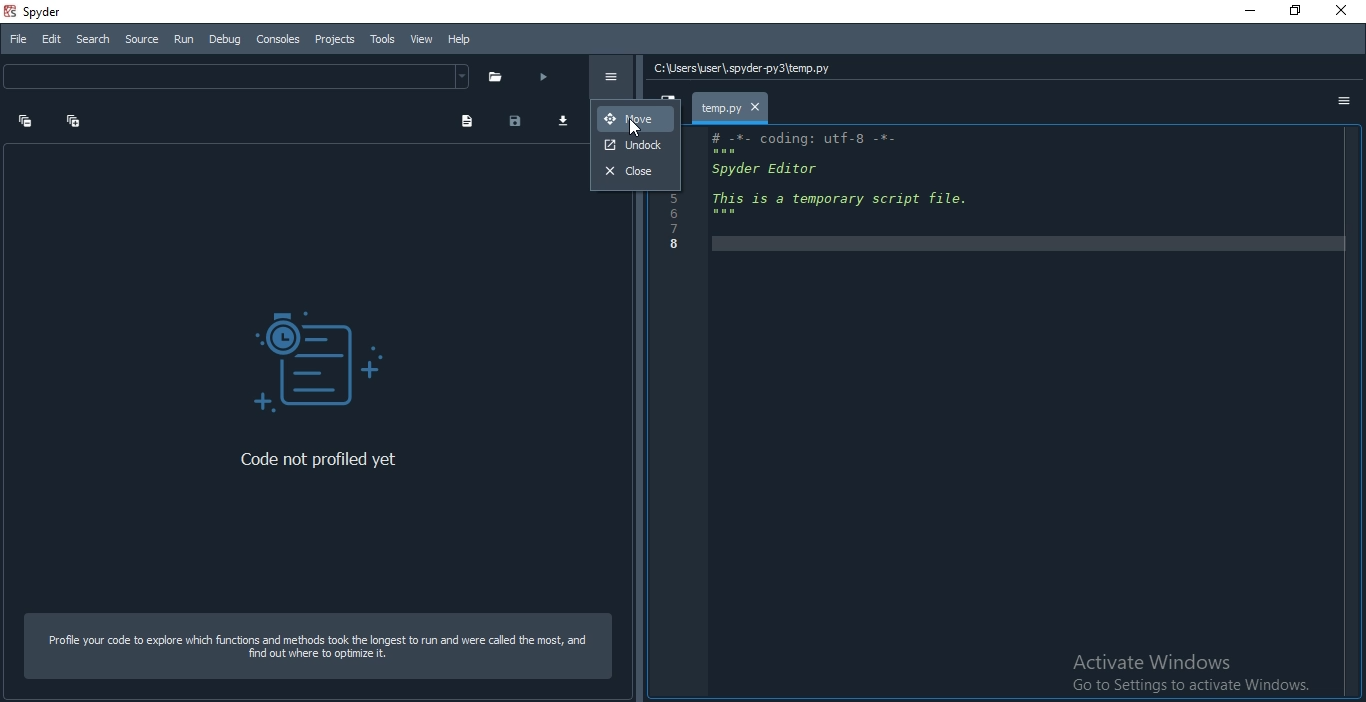  Describe the element at coordinates (633, 175) in the screenshot. I see `close` at that location.